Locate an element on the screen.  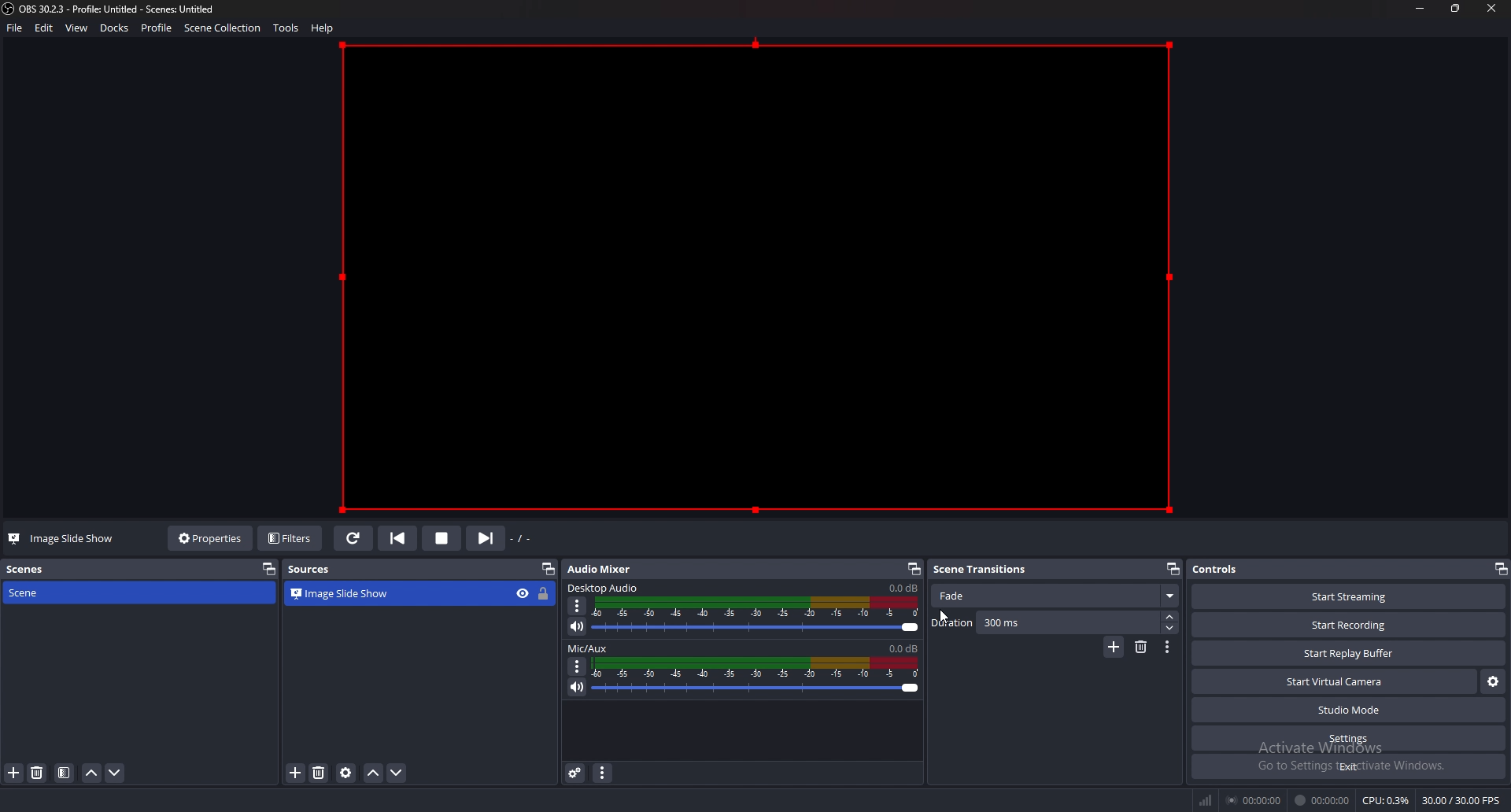
move scene up is located at coordinates (93, 773).